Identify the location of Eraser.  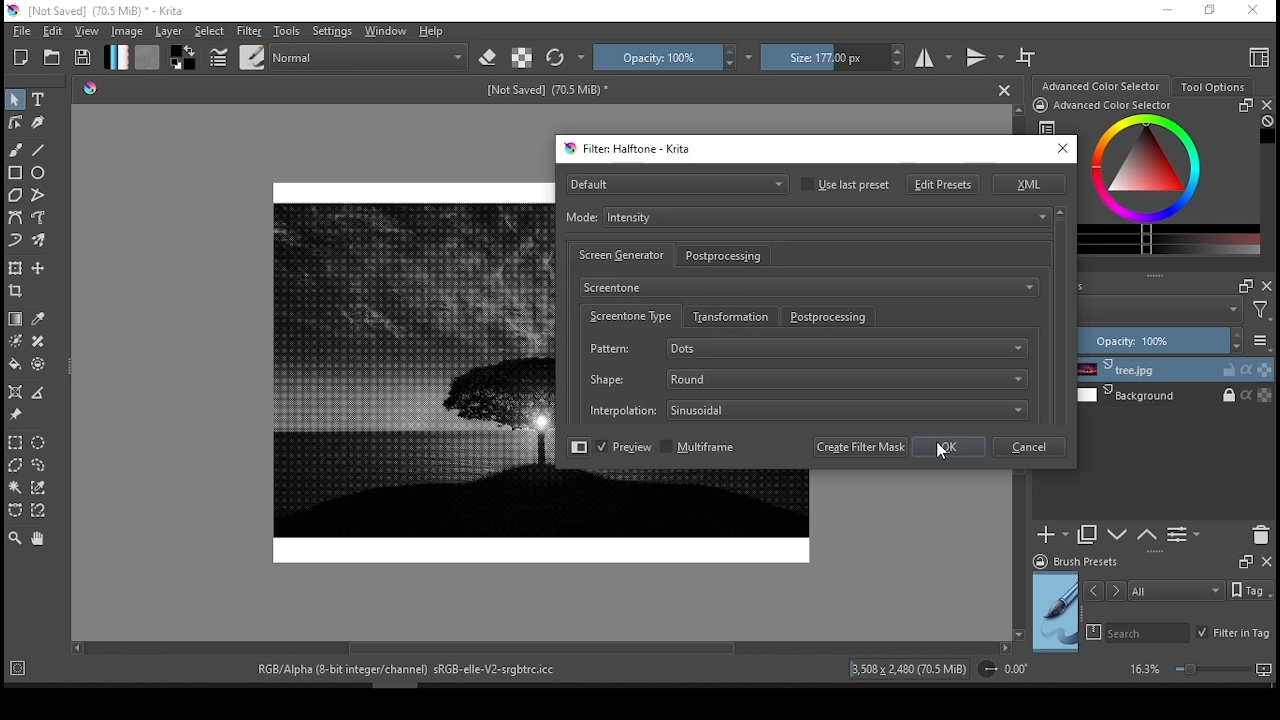
(488, 58).